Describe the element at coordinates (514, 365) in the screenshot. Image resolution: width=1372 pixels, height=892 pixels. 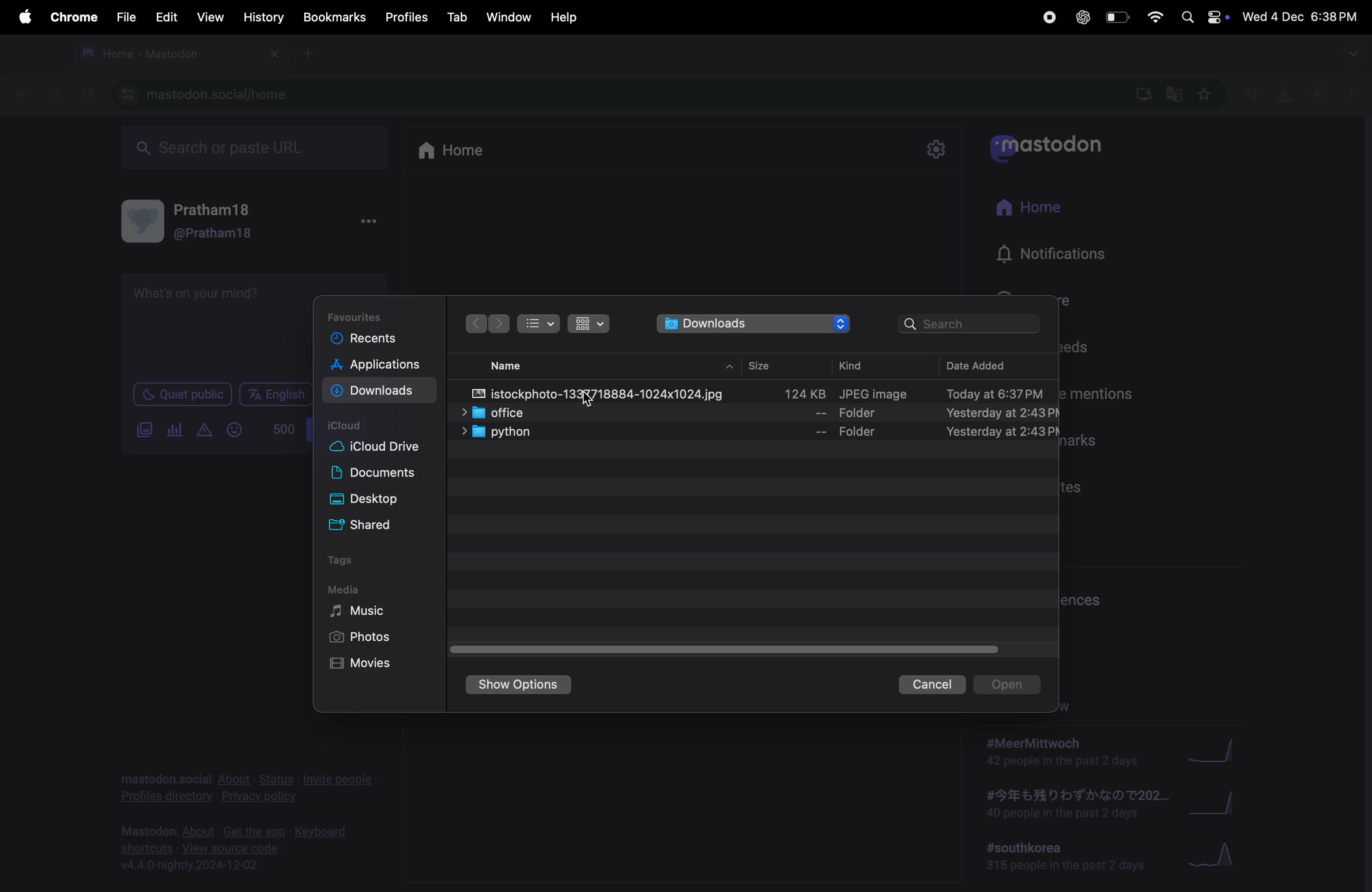
I see `name` at that location.